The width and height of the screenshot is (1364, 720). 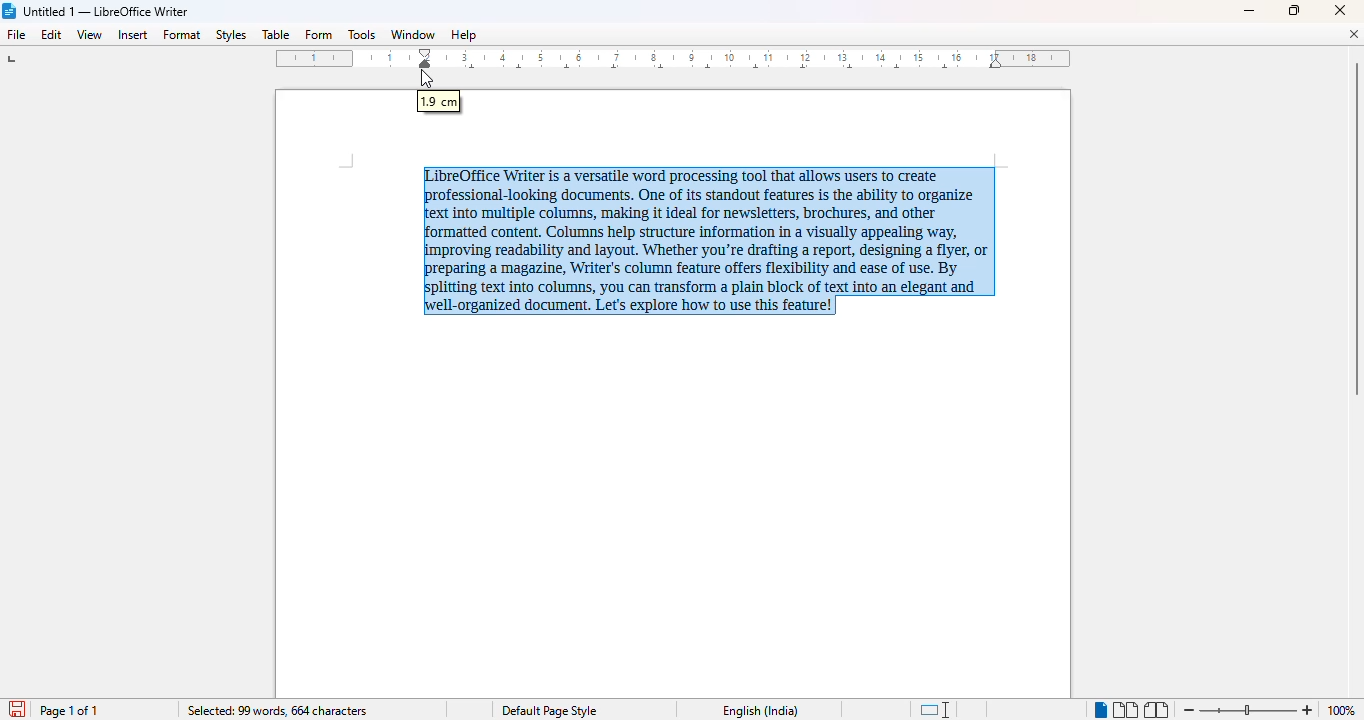 I want to click on single-page view, so click(x=1100, y=711).